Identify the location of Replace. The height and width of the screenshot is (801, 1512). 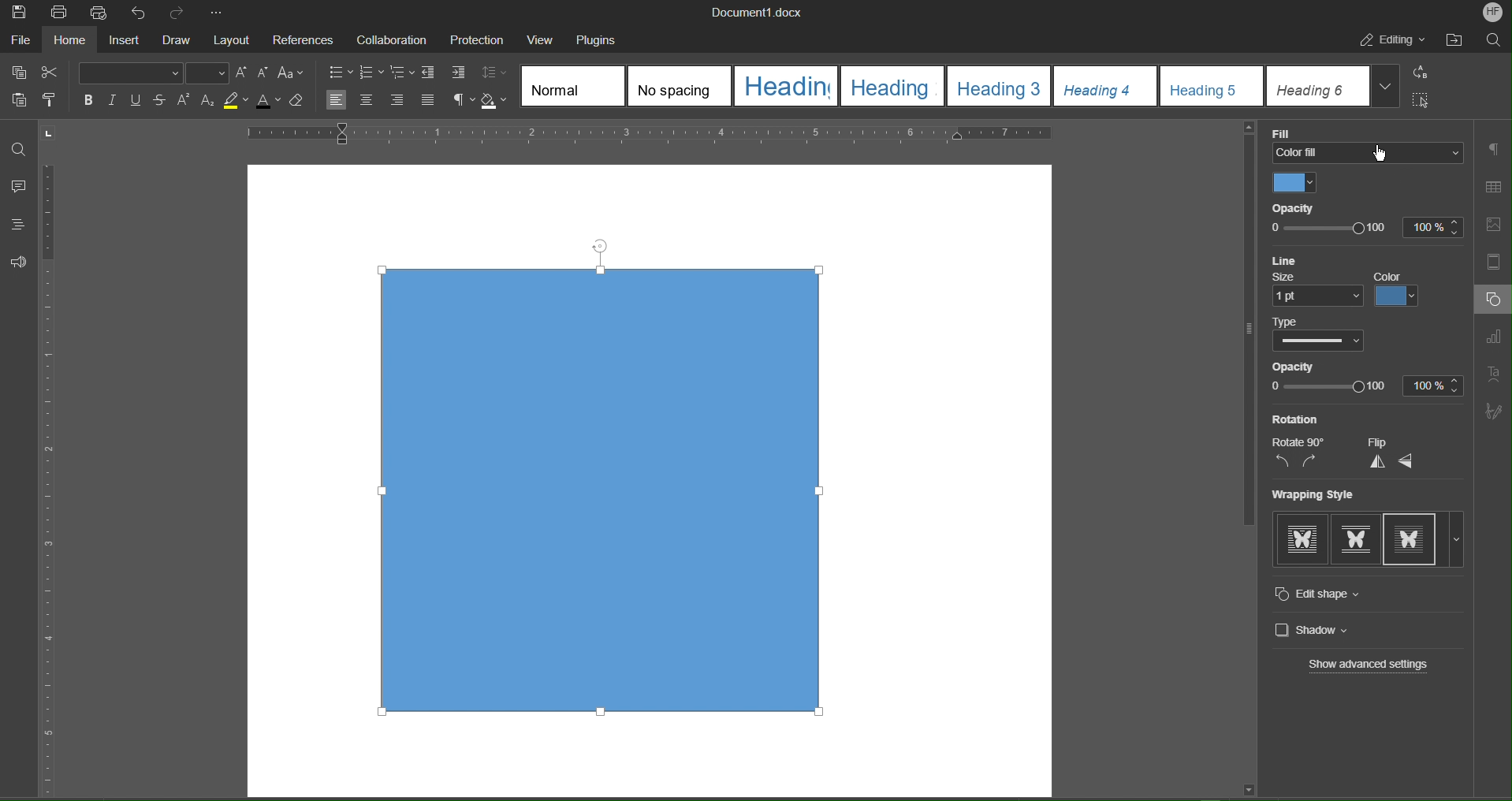
(1424, 73).